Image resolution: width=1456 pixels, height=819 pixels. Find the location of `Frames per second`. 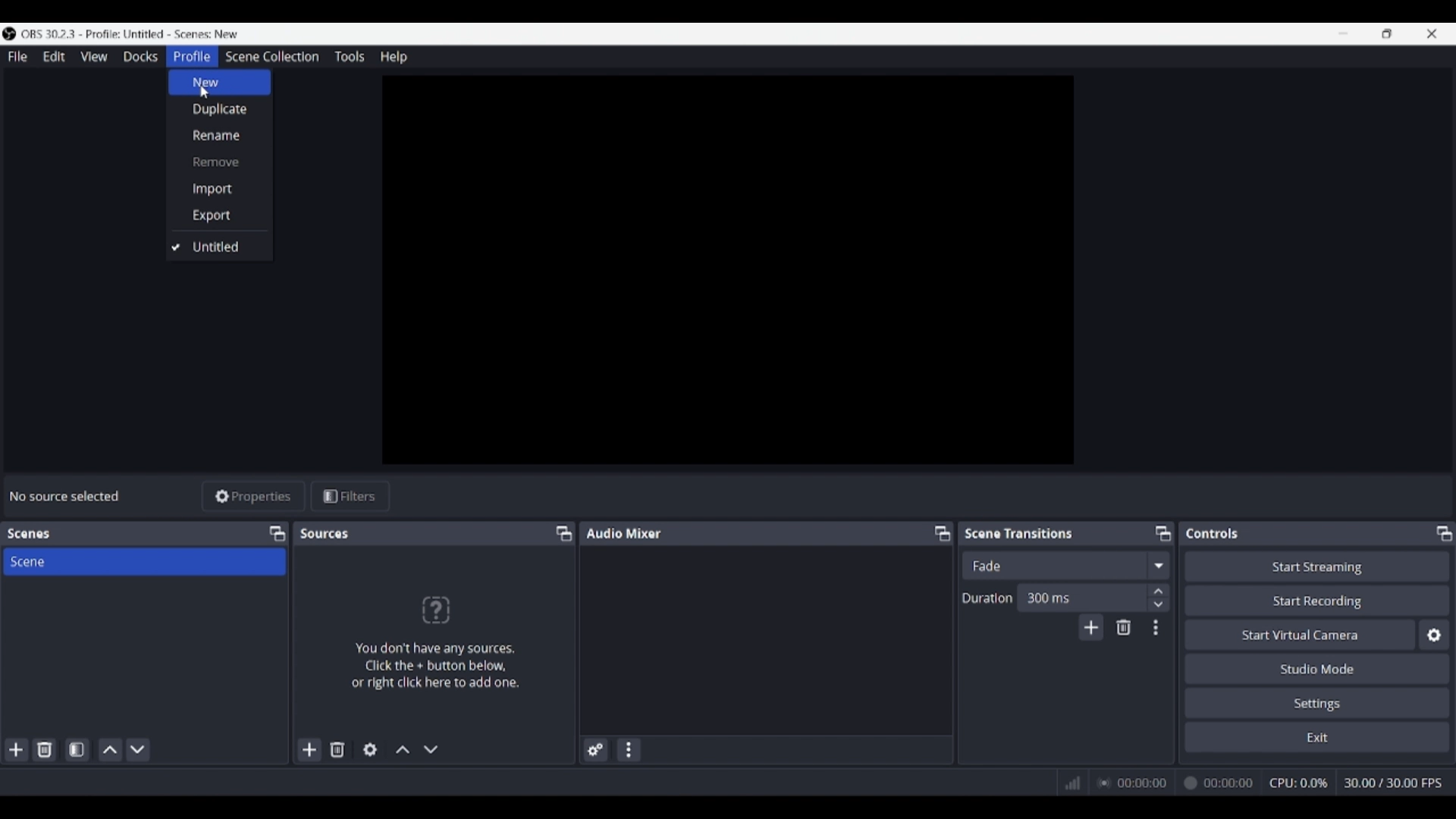

Frames per second is located at coordinates (1393, 783).